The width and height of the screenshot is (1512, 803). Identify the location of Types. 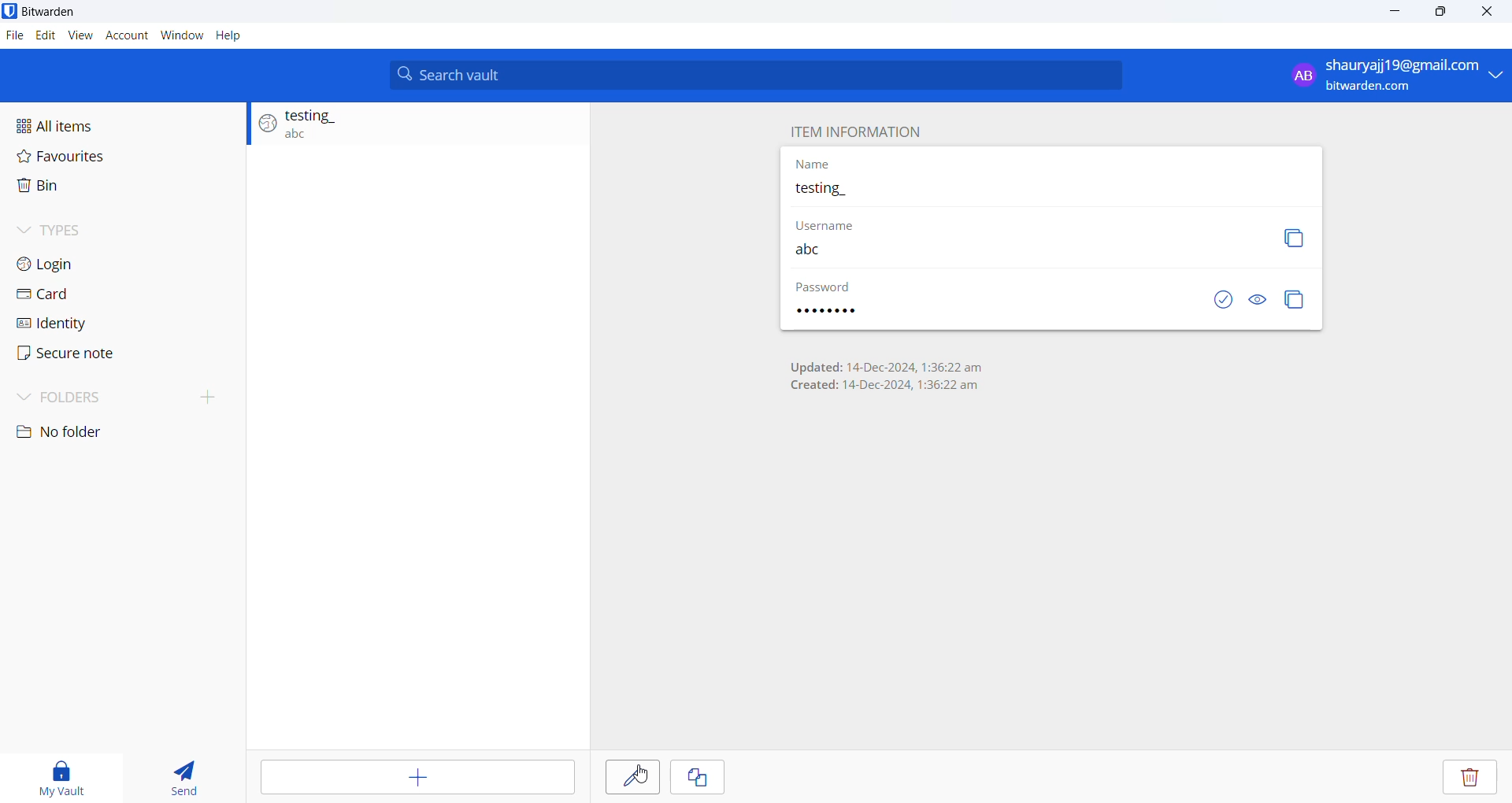
(116, 227).